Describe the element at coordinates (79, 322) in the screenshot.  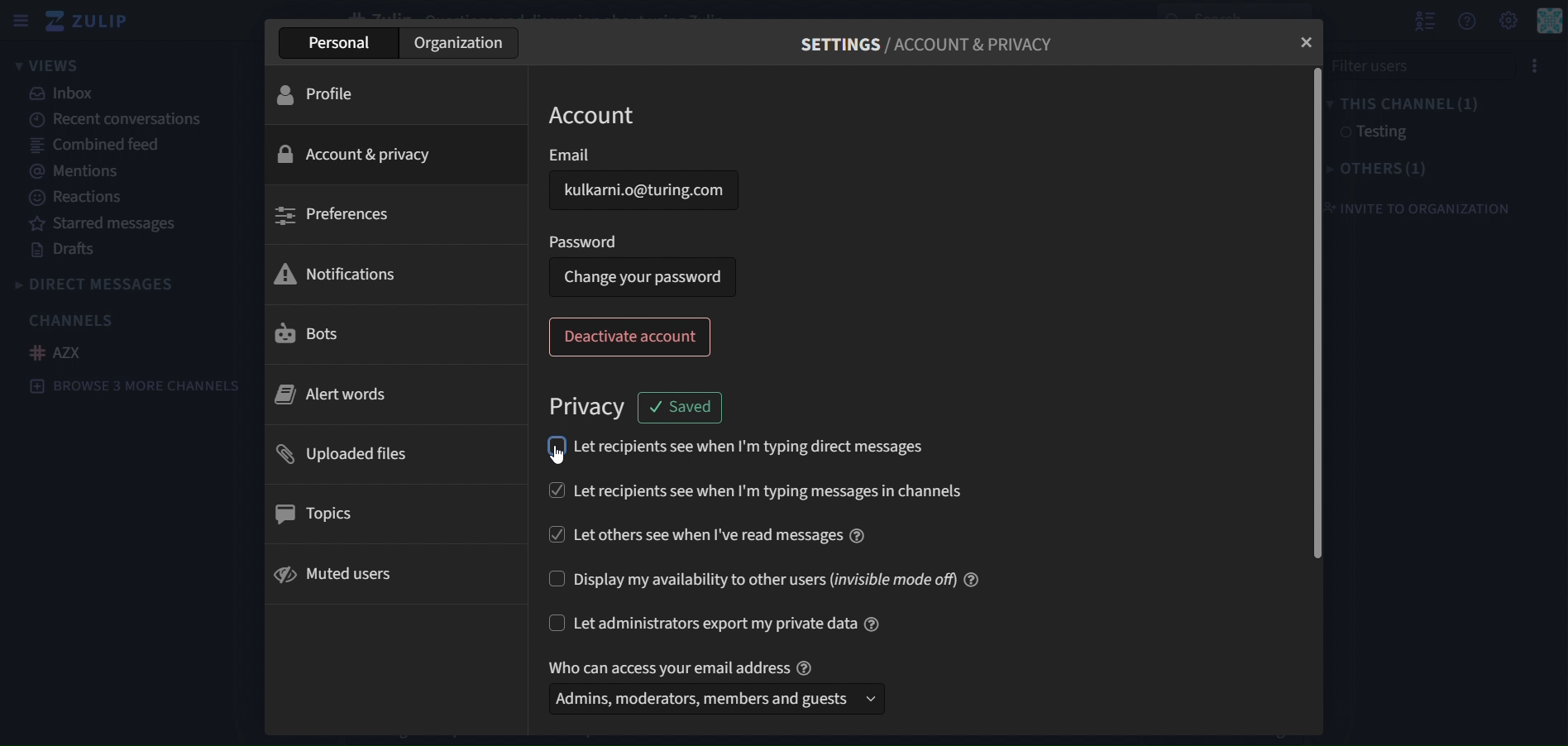
I see `channels` at that location.